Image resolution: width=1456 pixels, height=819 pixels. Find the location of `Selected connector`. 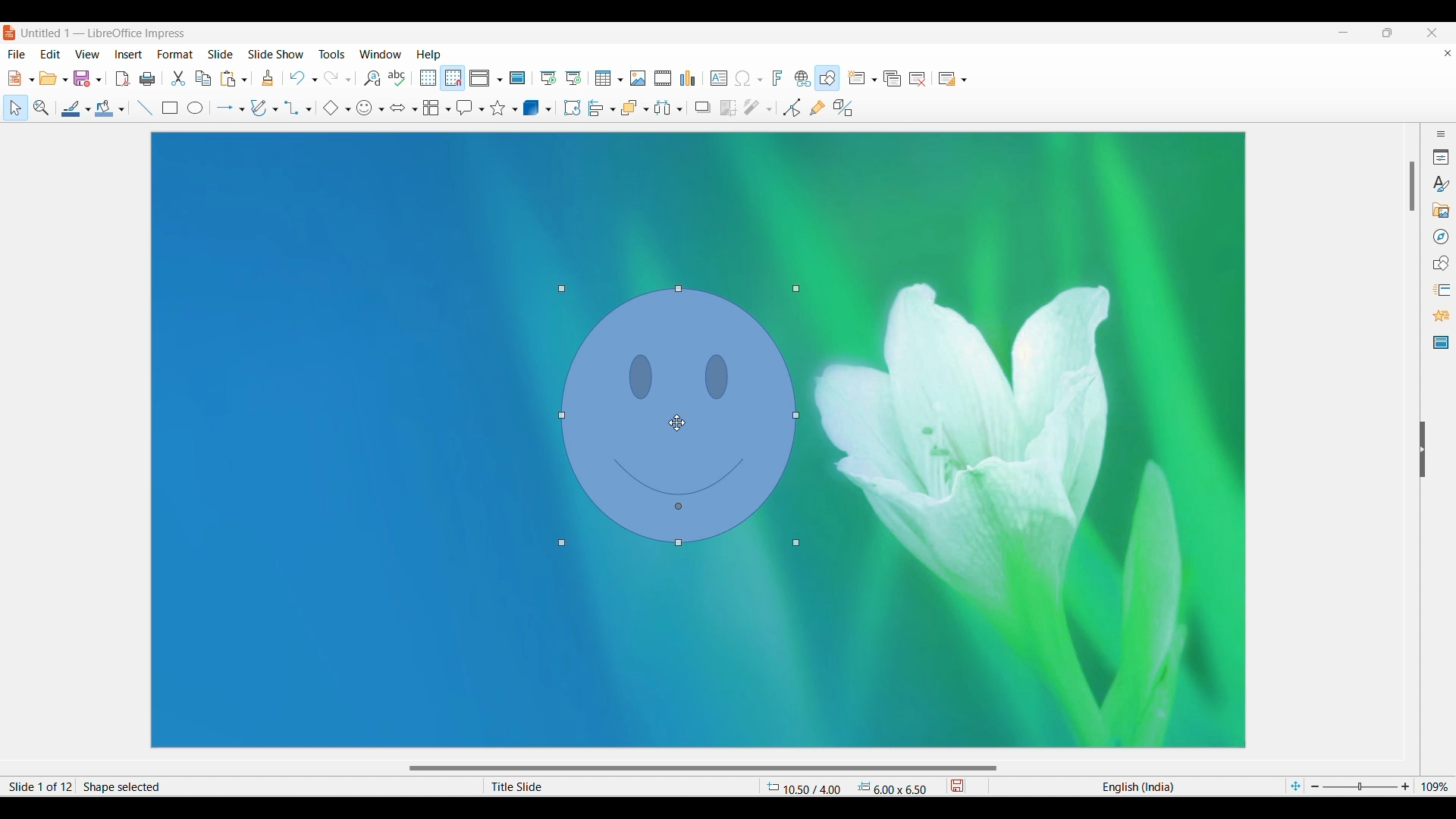

Selected connector is located at coordinates (293, 108).